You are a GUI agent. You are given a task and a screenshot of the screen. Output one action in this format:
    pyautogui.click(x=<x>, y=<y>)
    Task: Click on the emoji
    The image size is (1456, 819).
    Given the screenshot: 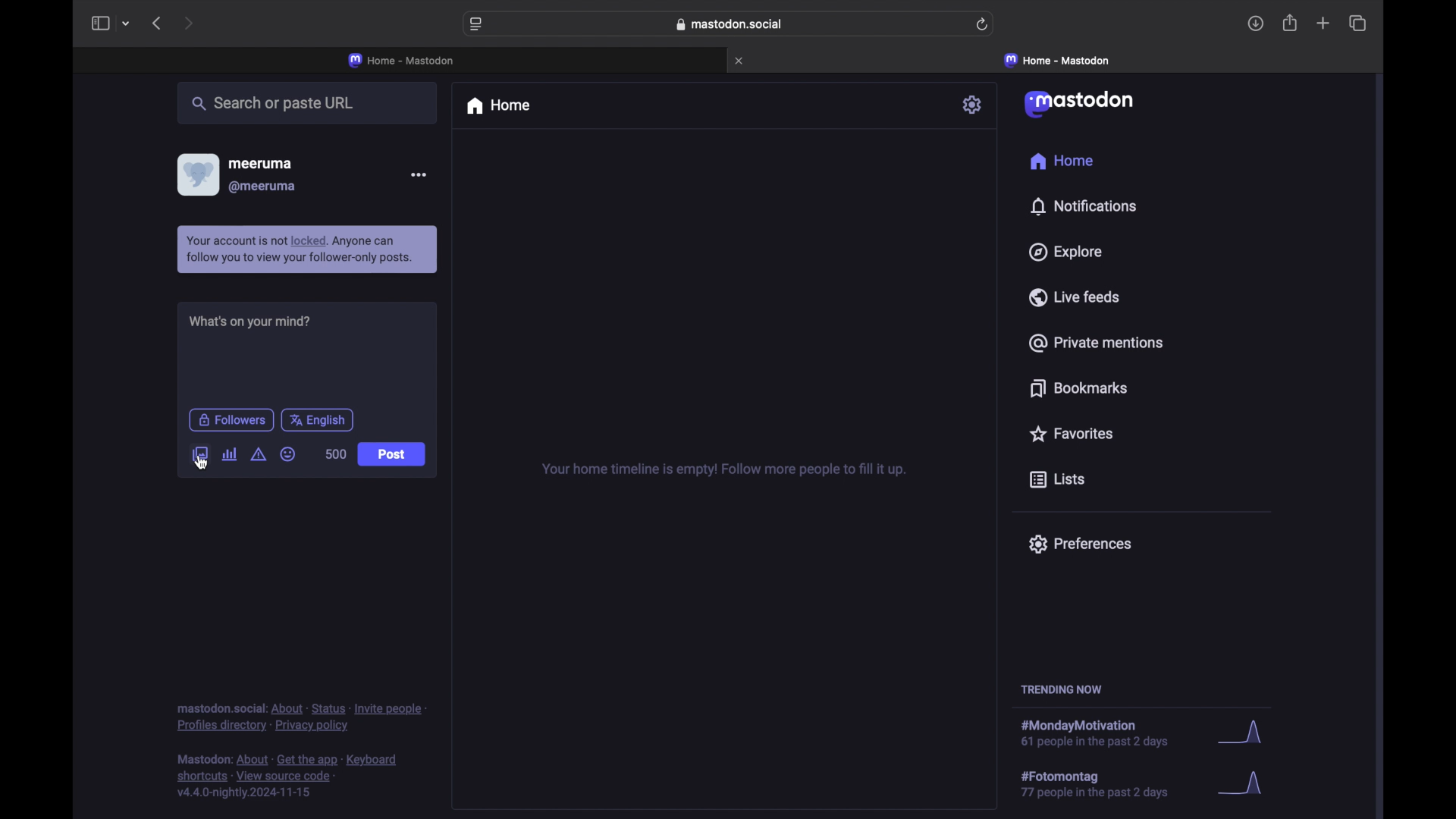 What is the action you would take?
    pyautogui.click(x=288, y=455)
    